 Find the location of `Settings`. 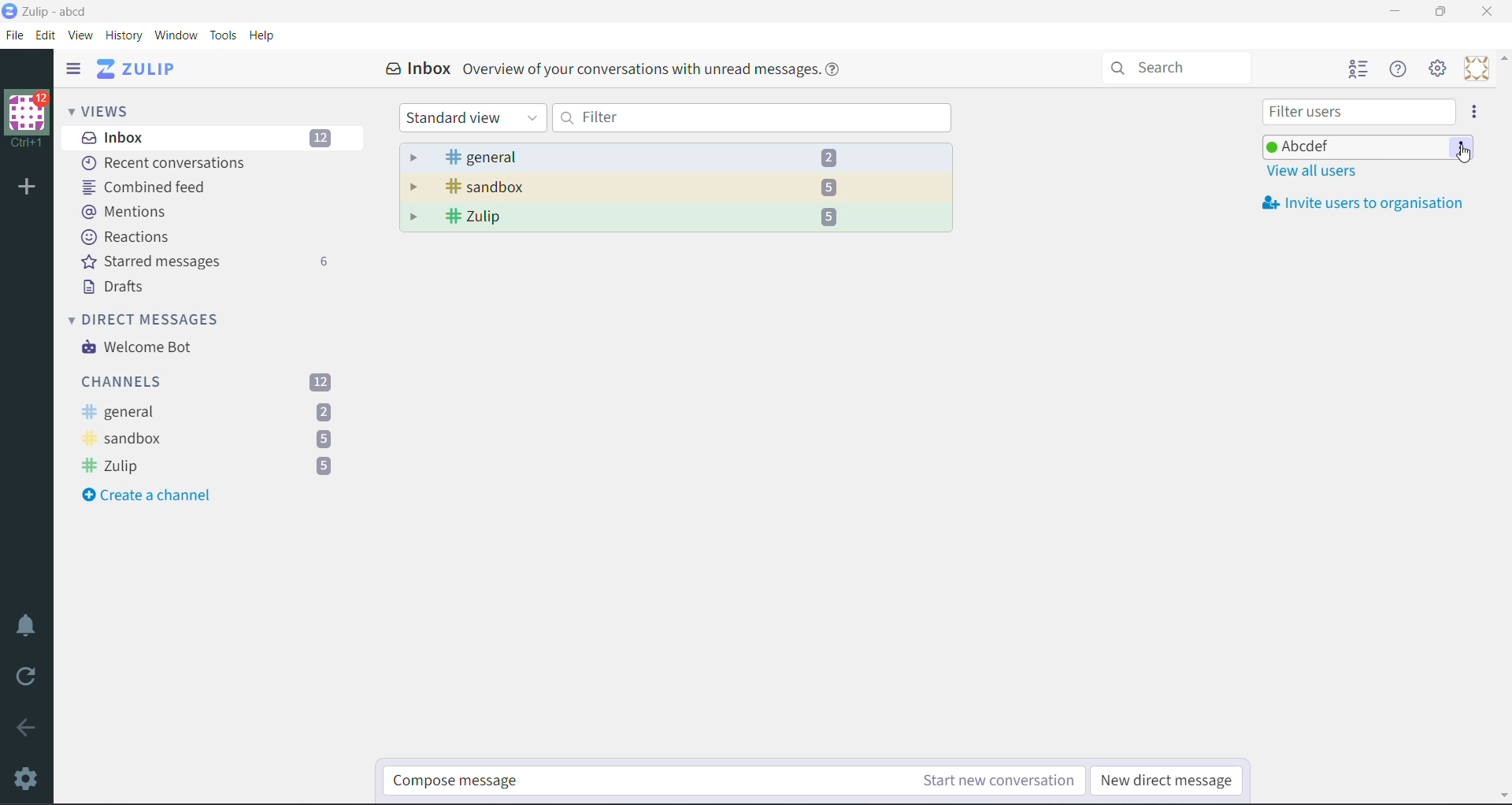

Settings is located at coordinates (28, 780).